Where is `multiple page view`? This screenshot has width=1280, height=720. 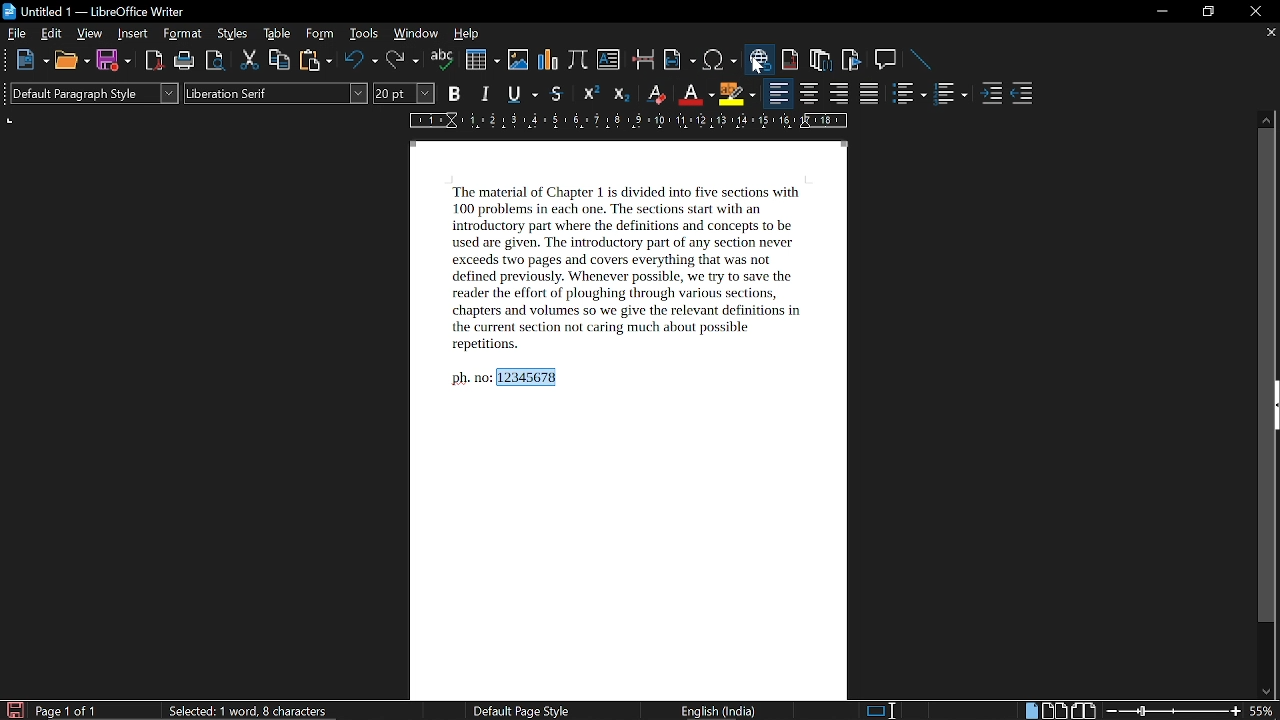 multiple page view is located at coordinates (1055, 711).